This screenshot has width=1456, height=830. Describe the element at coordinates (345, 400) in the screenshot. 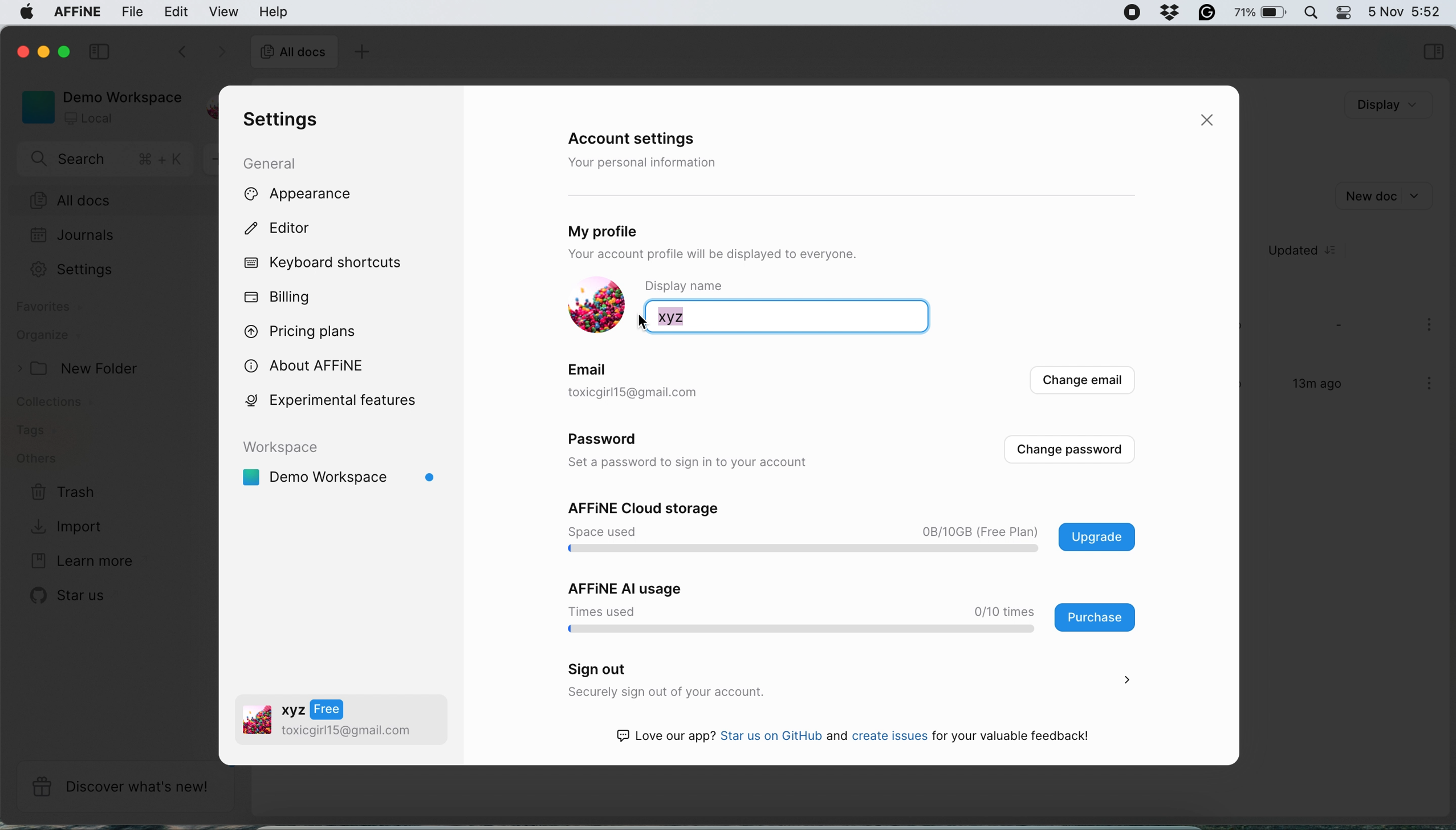

I see `experimental features` at that location.